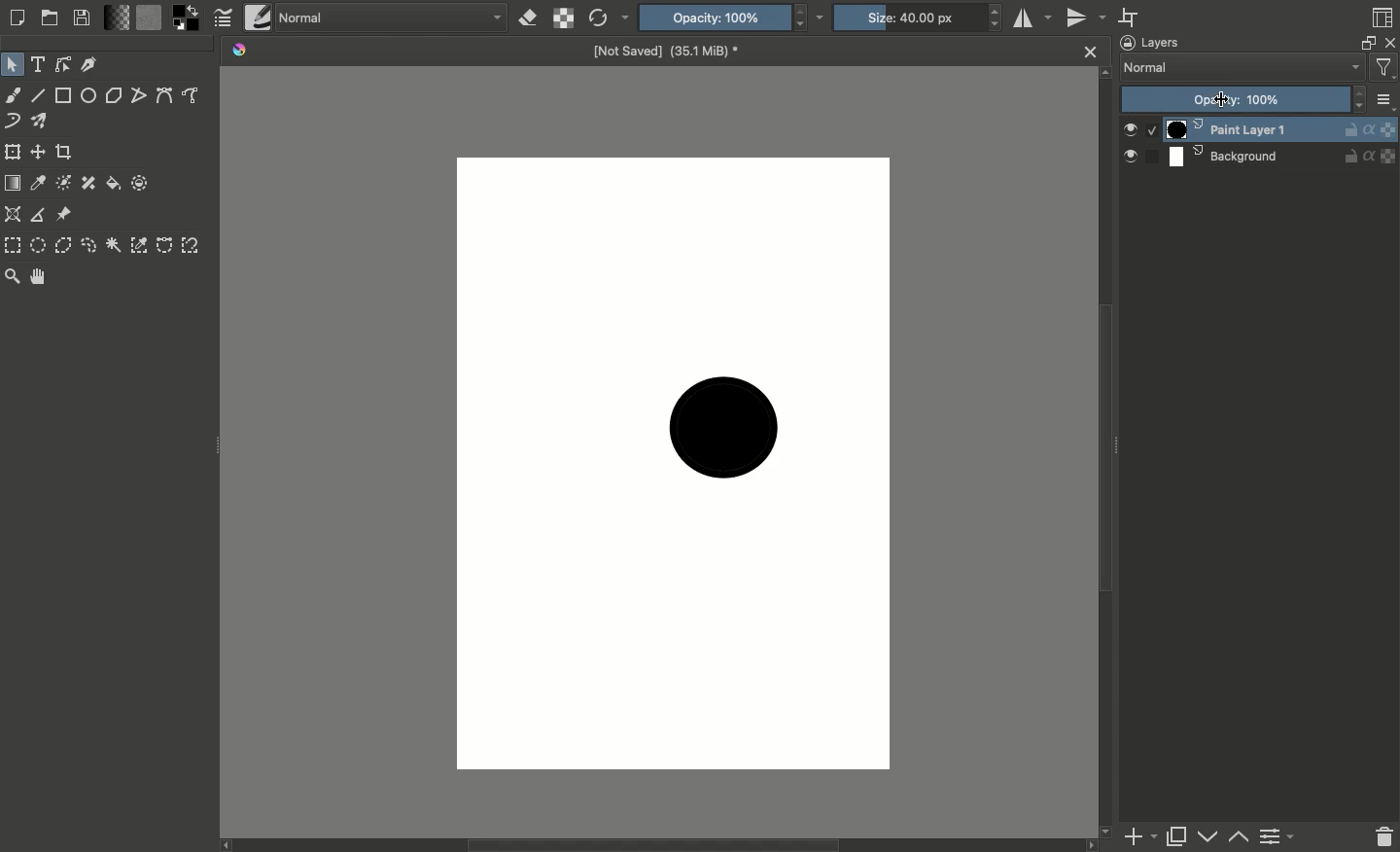 The height and width of the screenshot is (852, 1400). What do you see at coordinates (216, 447) in the screenshot?
I see `Drag` at bounding box center [216, 447].